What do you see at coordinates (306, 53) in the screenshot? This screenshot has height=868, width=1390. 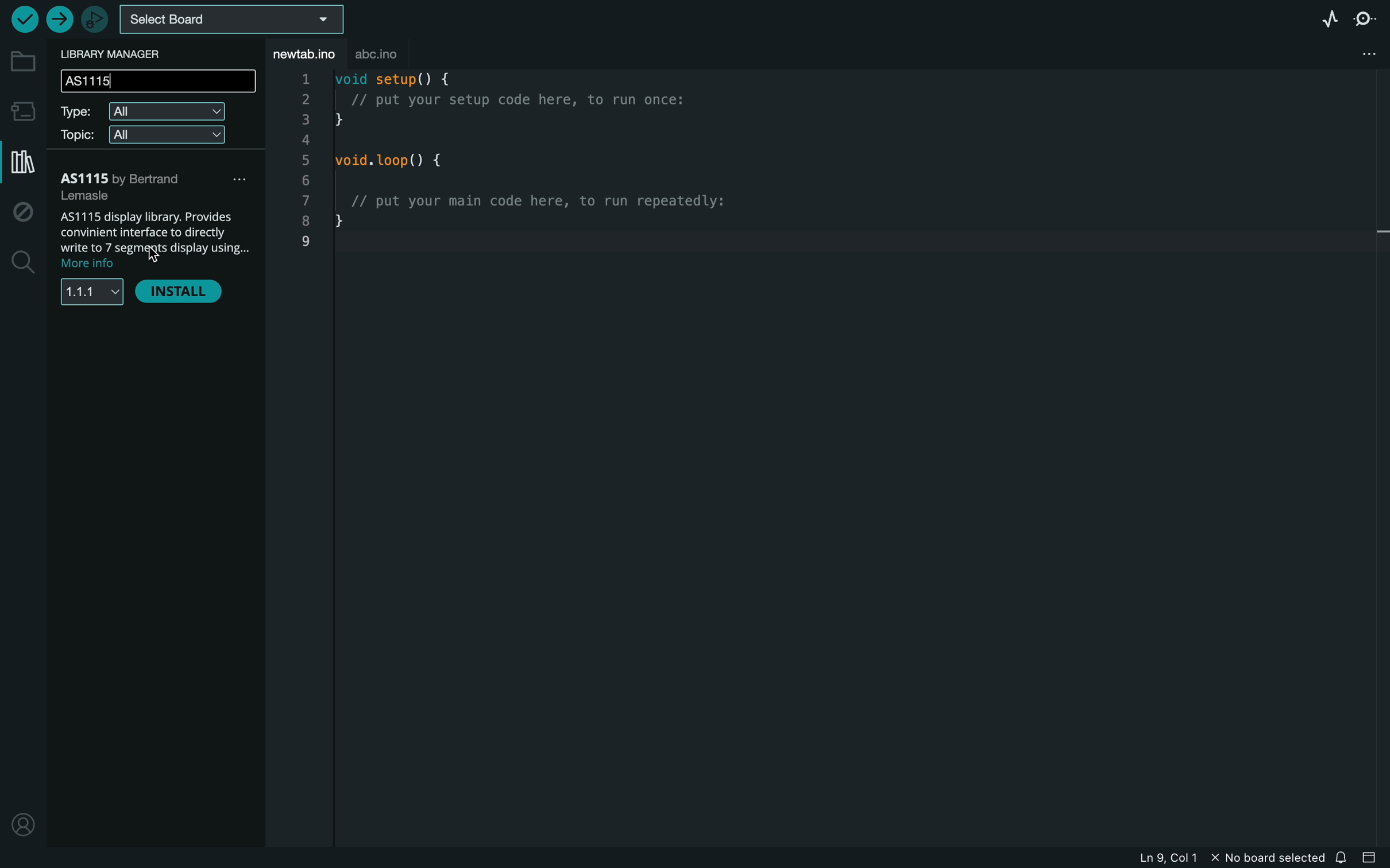 I see `file tab` at bounding box center [306, 53].